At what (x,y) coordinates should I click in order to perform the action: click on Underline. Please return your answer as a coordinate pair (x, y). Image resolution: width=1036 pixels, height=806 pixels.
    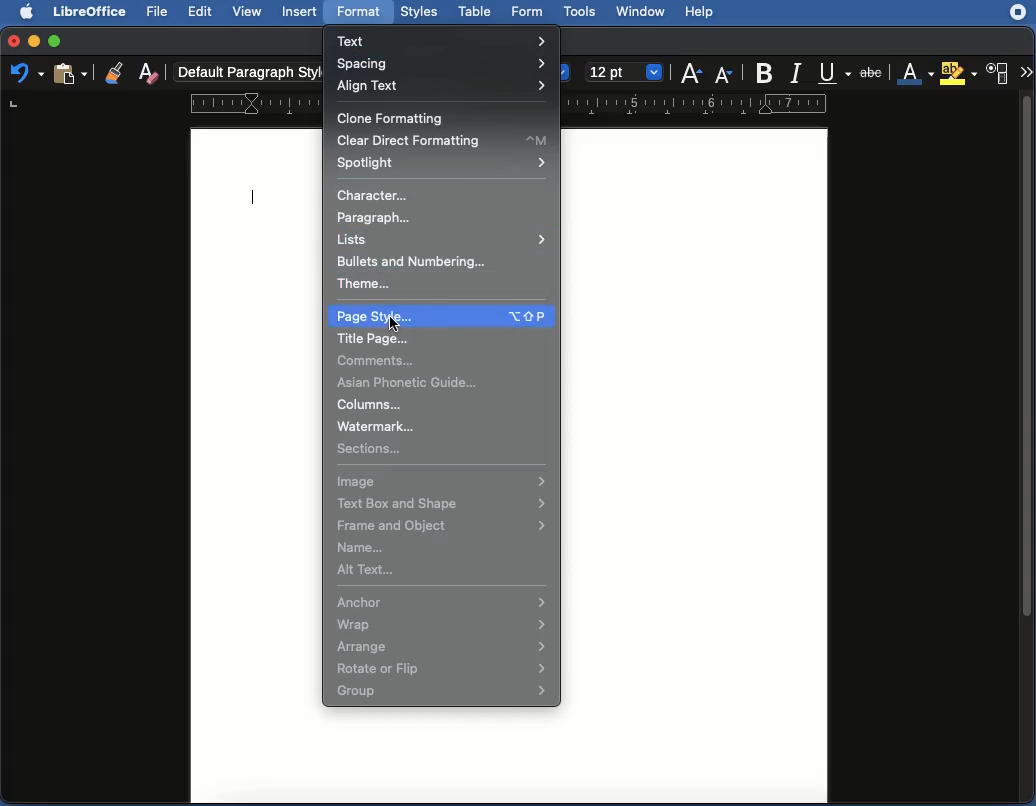
    Looking at the image, I should click on (831, 72).